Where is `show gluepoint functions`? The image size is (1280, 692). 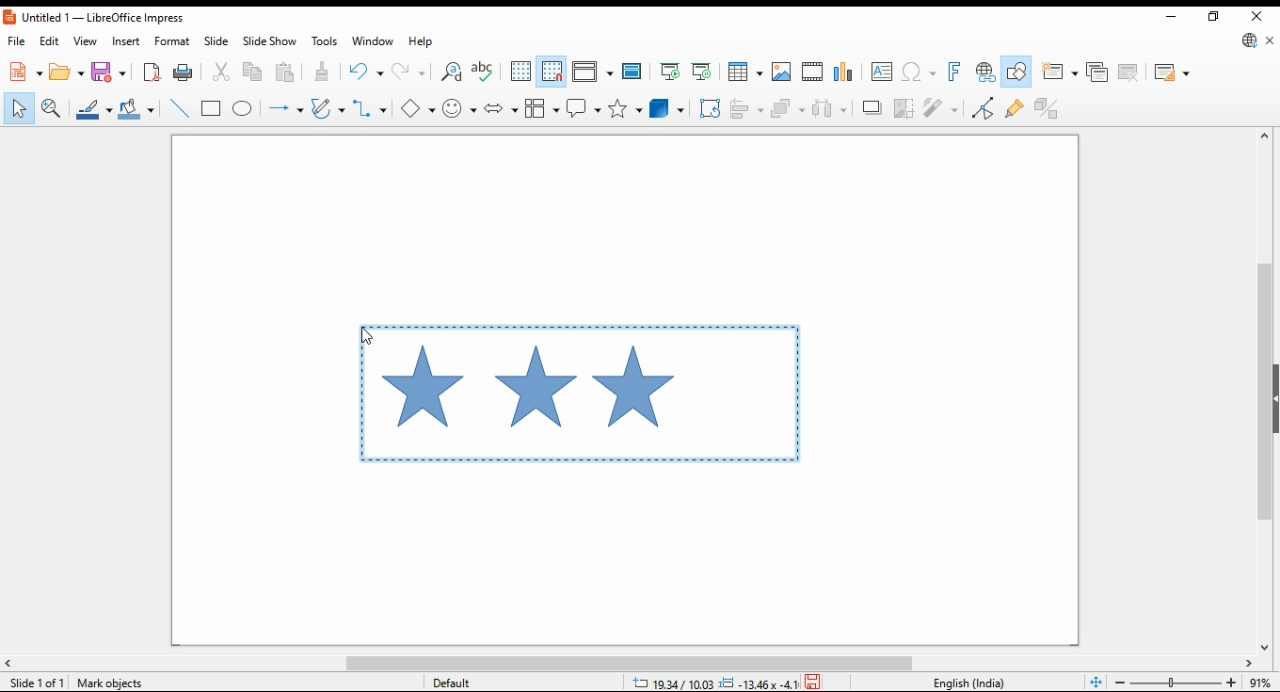
show gluepoint functions is located at coordinates (1016, 107).